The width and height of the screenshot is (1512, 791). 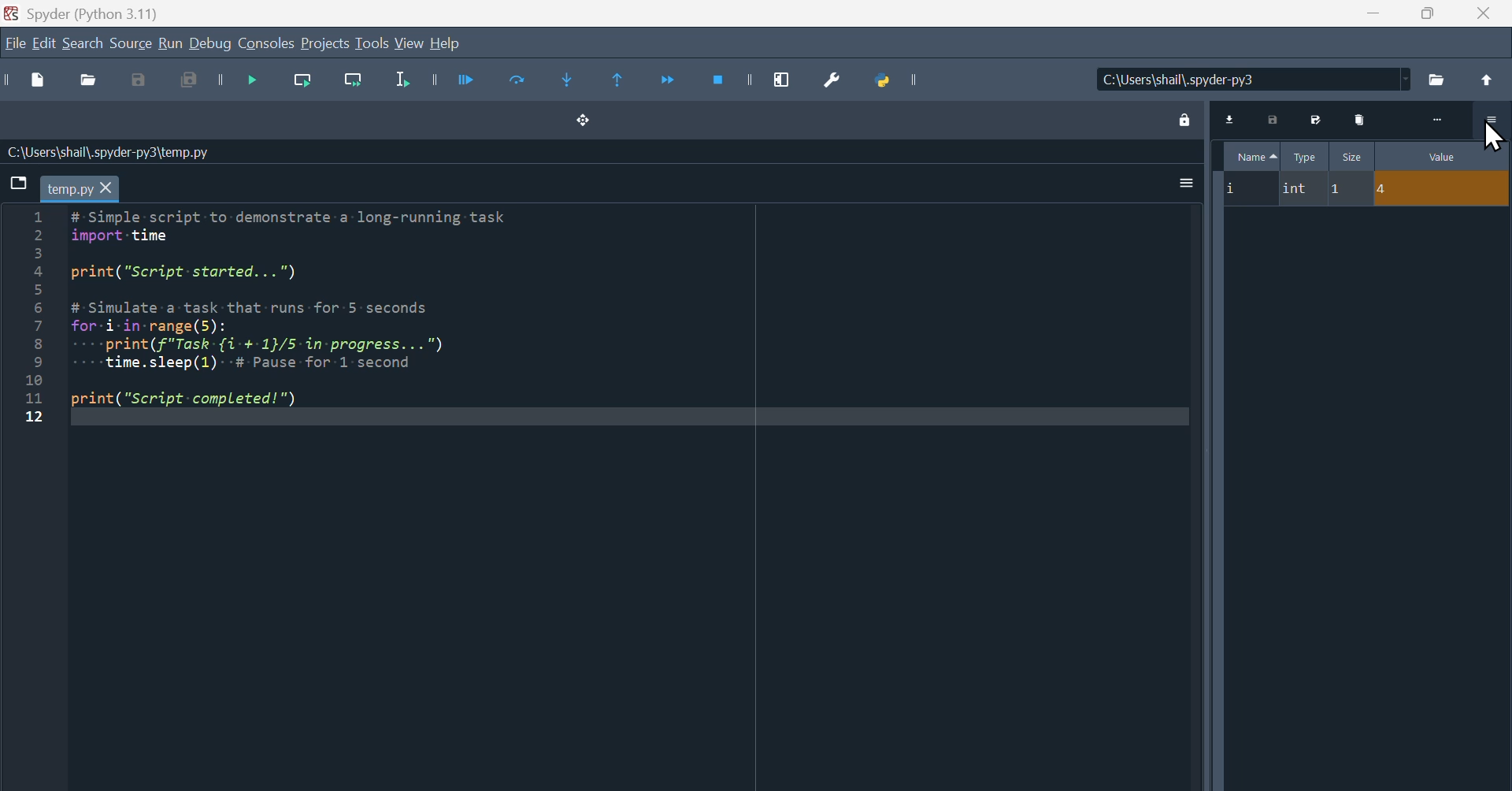 What do you see at coordinates (110, 153) in the screenshot?
I see `C:\Users\shail\.spyder-py3\temp.py` at bounding box center [110, 153].